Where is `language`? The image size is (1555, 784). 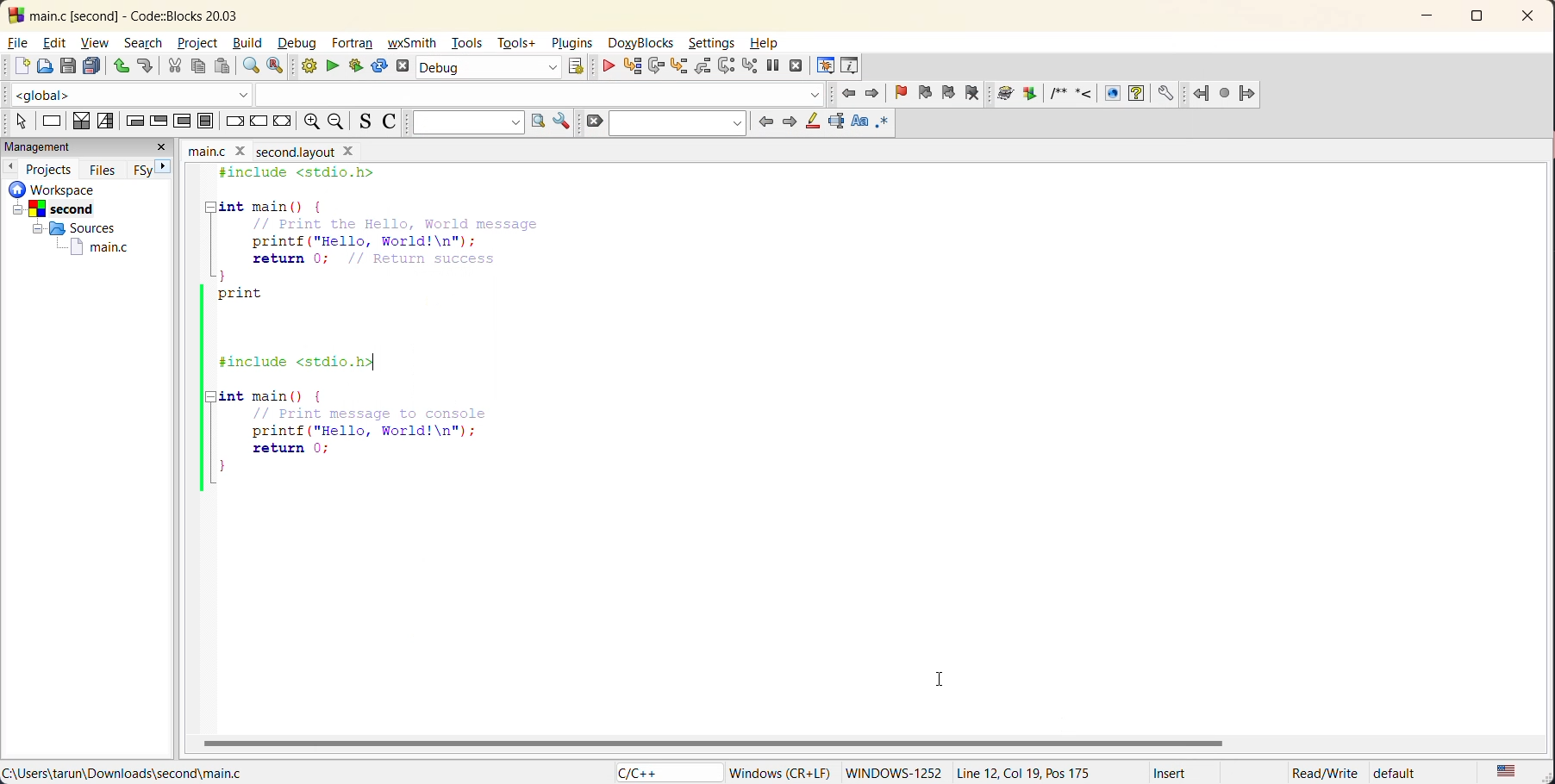
language is located at coordinates (659, 771).